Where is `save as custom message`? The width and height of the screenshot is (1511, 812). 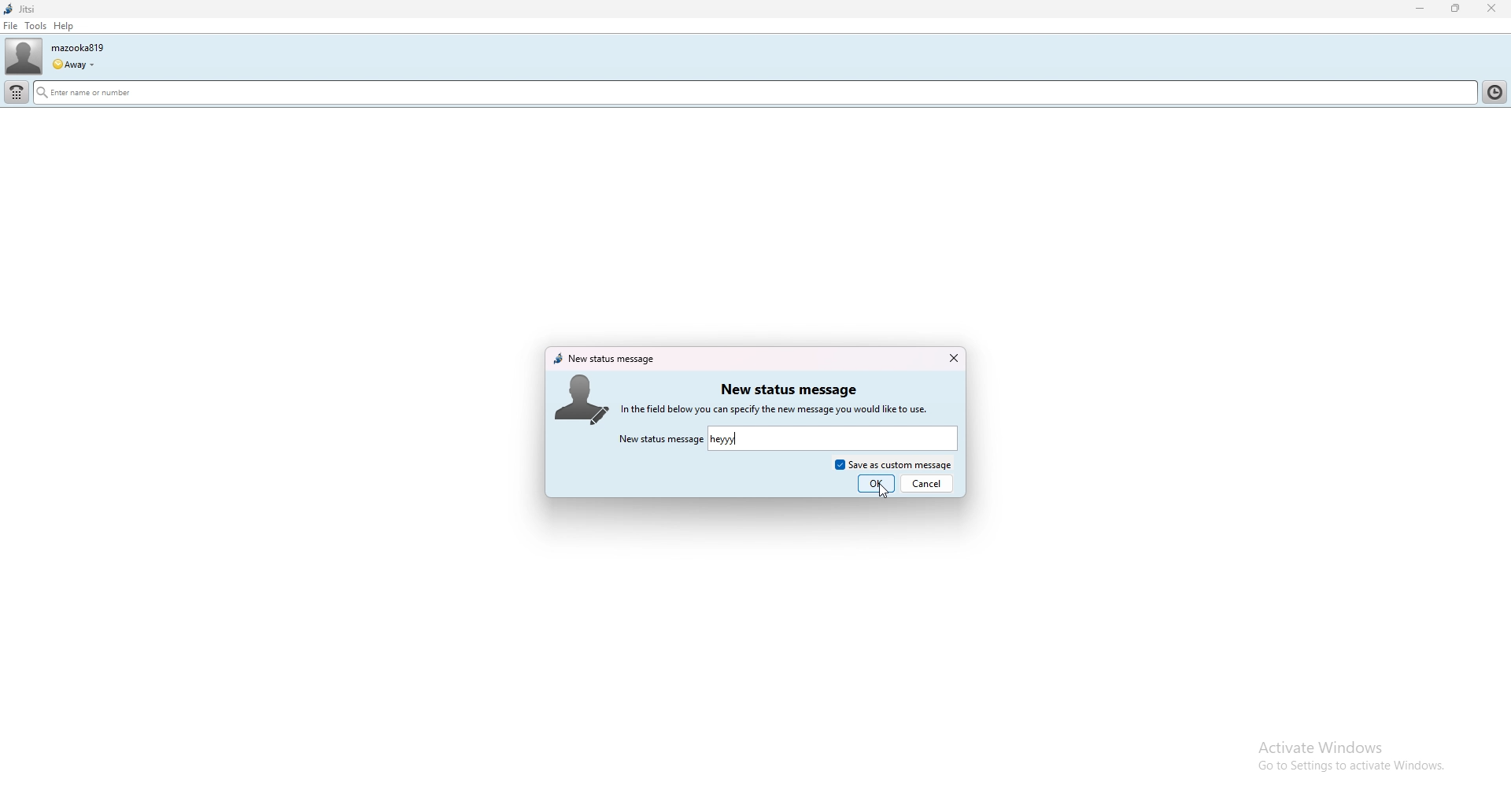 save as custom message is located at coordinates (893, 463).